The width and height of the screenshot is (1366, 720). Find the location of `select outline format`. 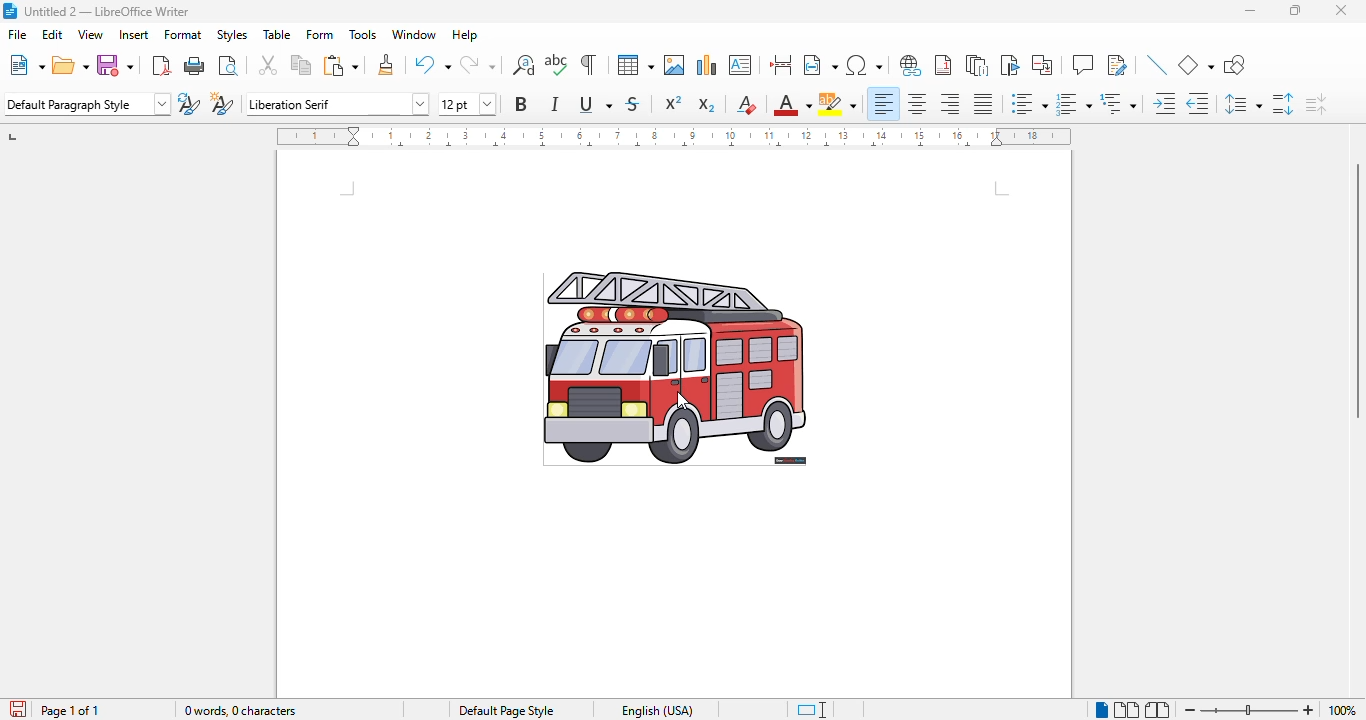

select outline format is located at coordinates (1118, 104).